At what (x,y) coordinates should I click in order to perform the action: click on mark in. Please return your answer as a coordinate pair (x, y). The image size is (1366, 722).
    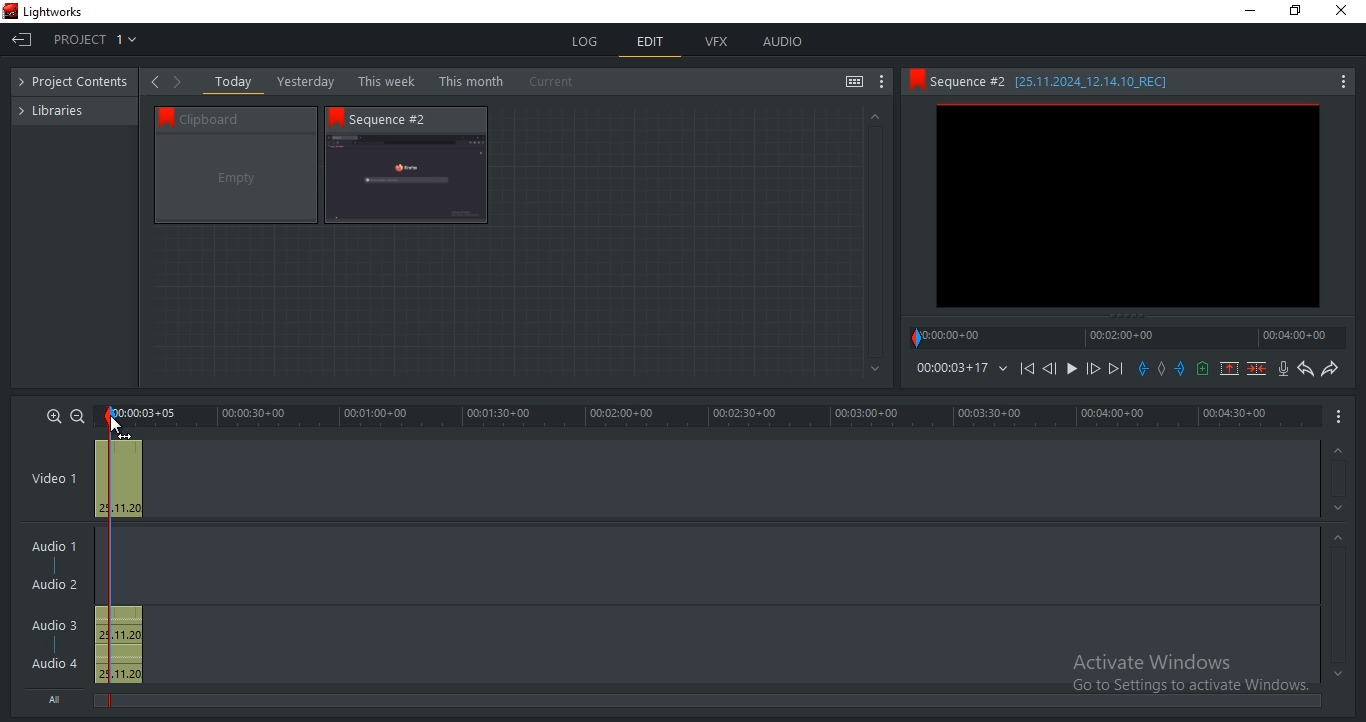
    Looking at the image, I should click on (1143, 368).